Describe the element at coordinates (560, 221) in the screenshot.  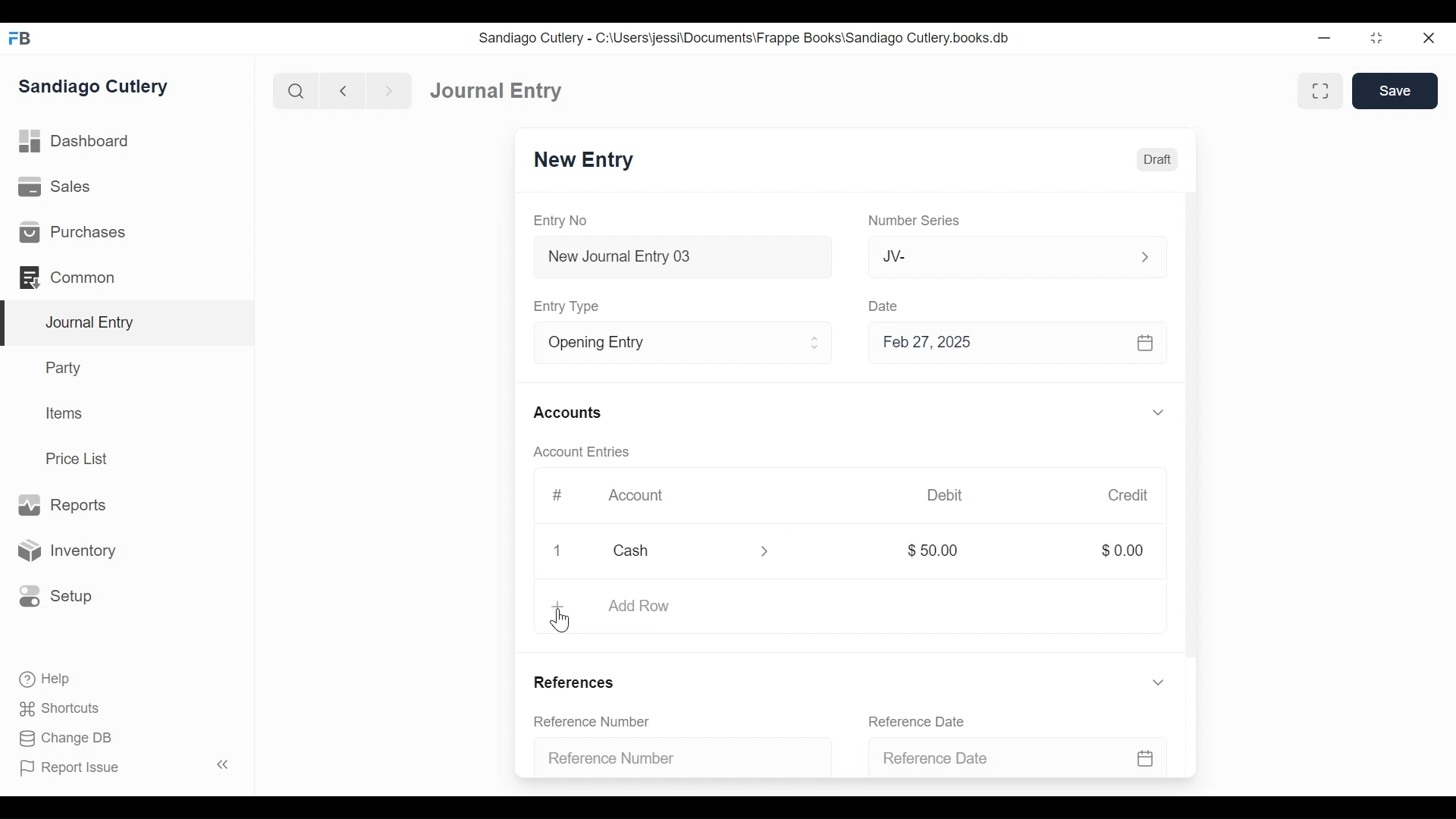
I see `Entry No` at that location.